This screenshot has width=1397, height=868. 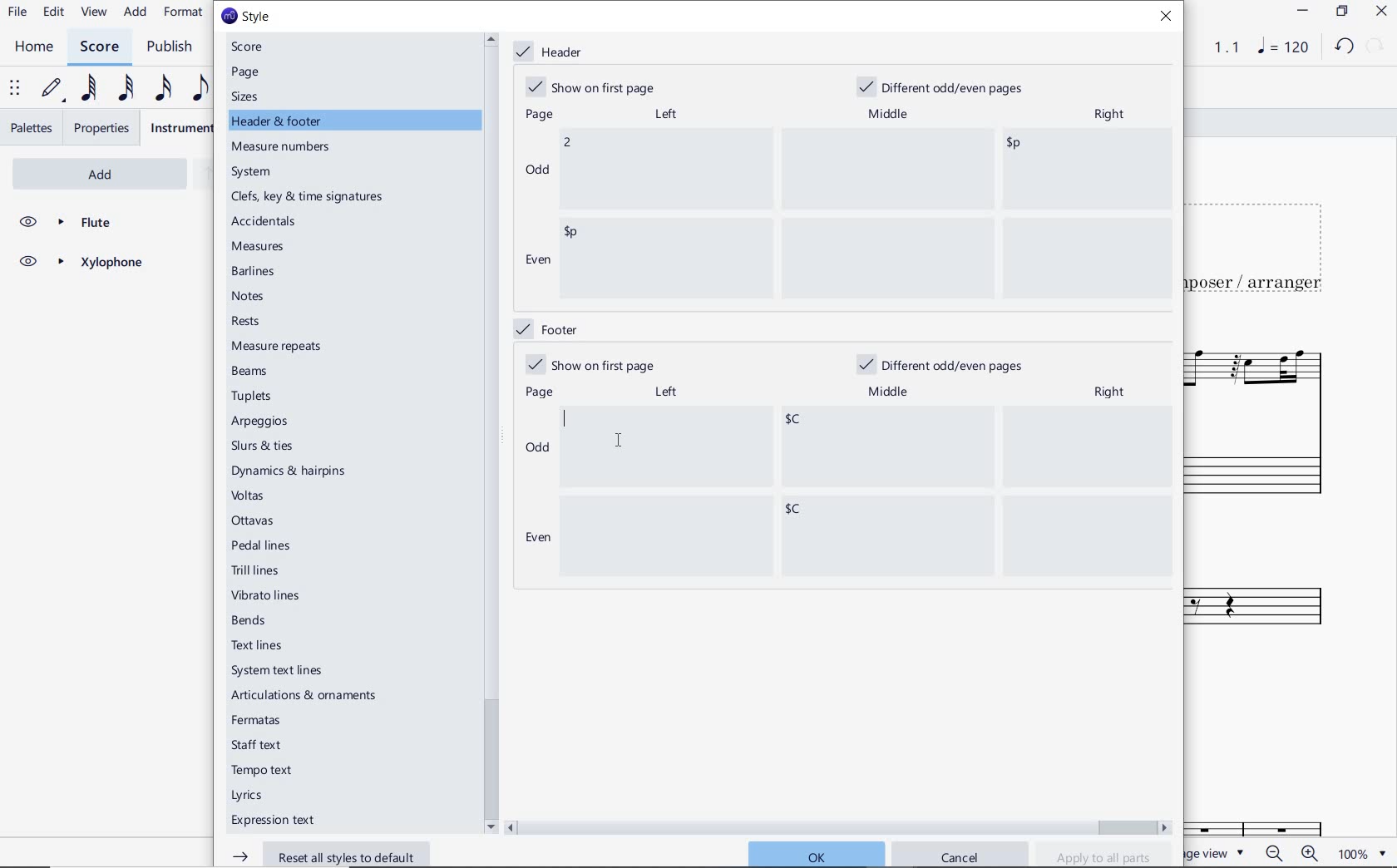 I want to click on right, so click(x=1108, y=116).